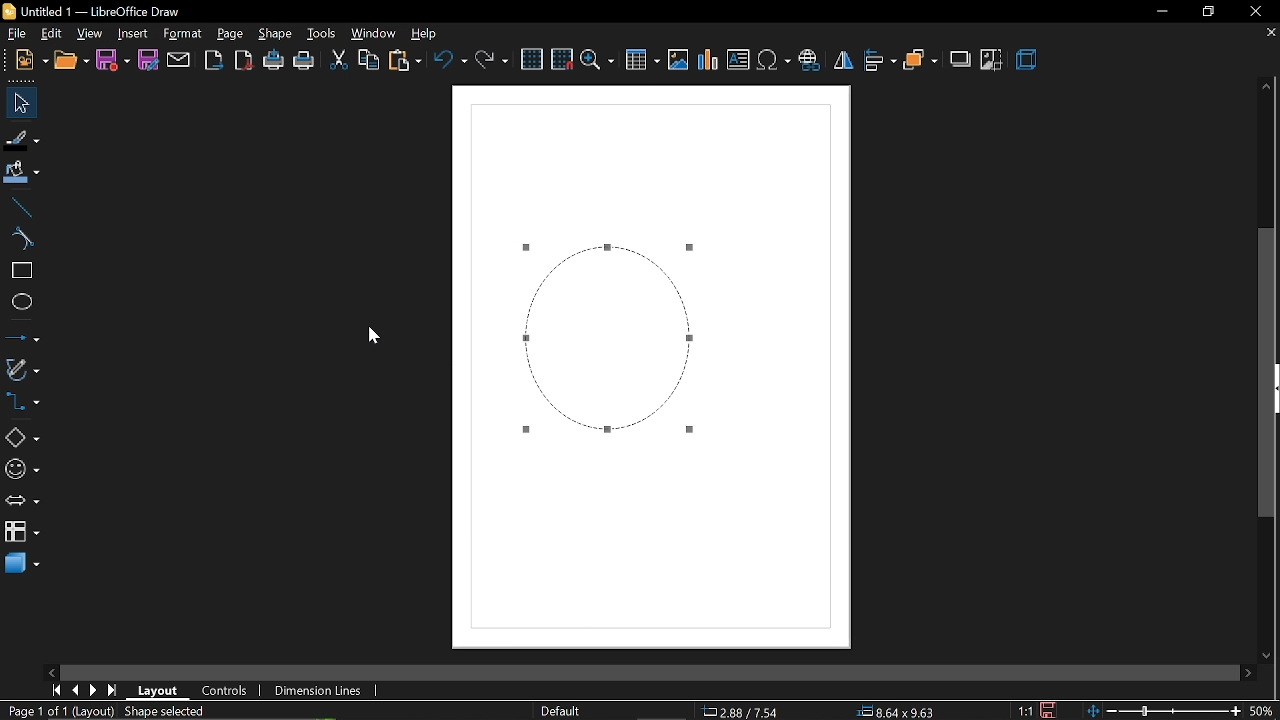 Image resolution: width=1280 pixels, height=720 pixels. Describe the element at coordinates (230, 33) in the screenshot. I see `page` at that location.